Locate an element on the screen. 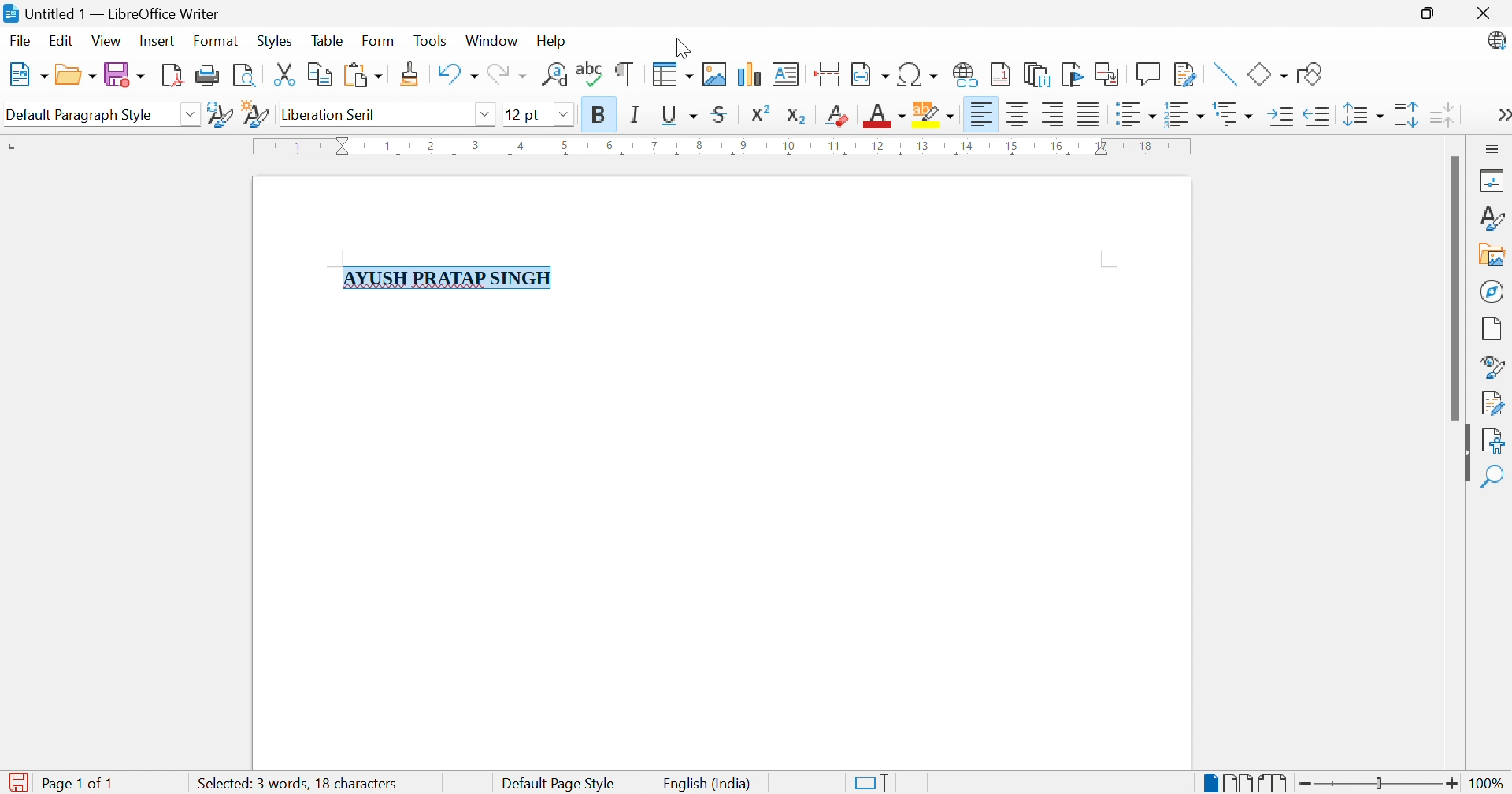 The width and height of the screenshot is (1512, 794). Bold is located at coordinates (598, 116).